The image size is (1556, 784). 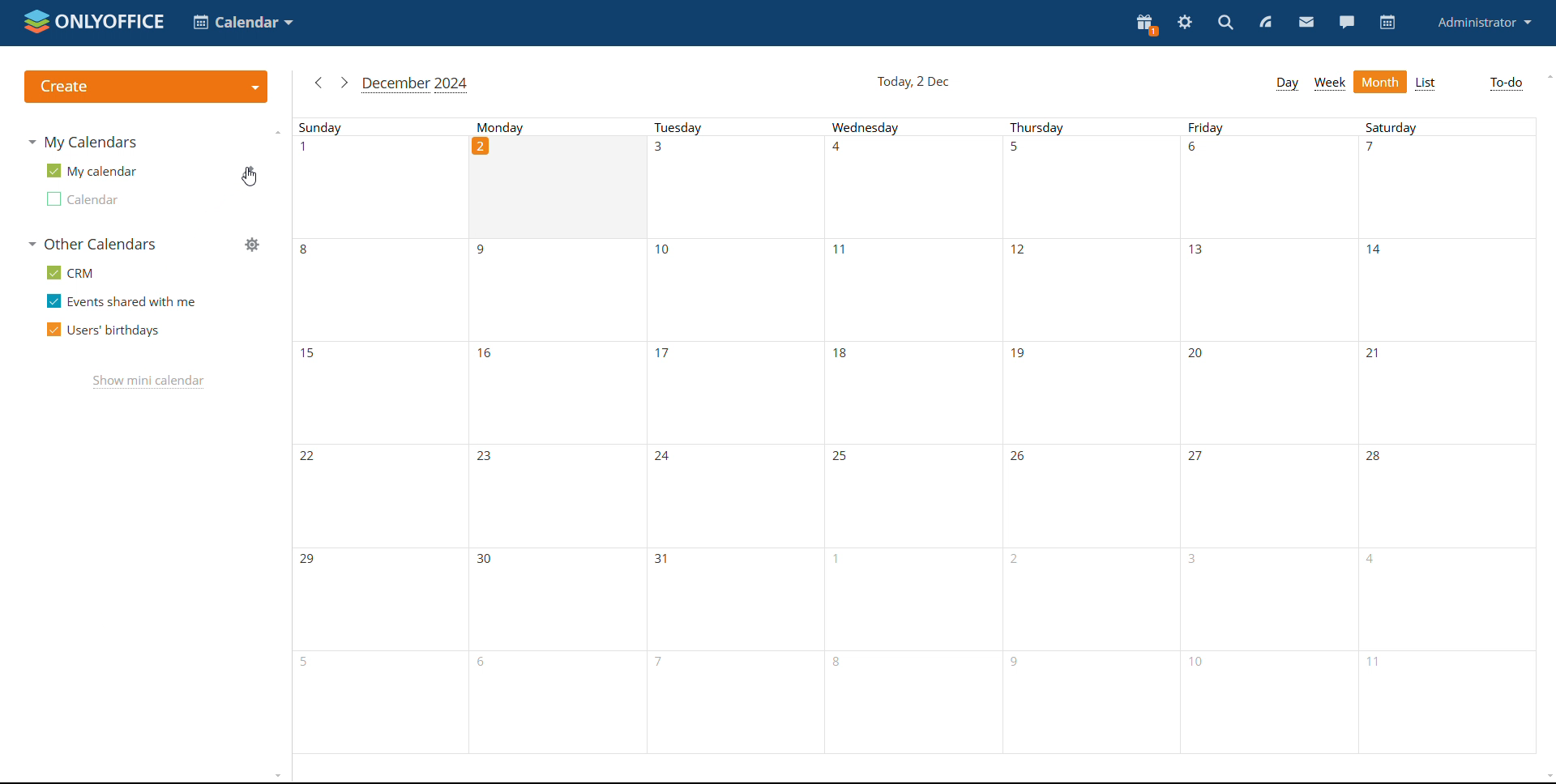 What do you see at coordinates (94, 20) in the screenshot?
I see `logo` at bounding box center [94, 20].